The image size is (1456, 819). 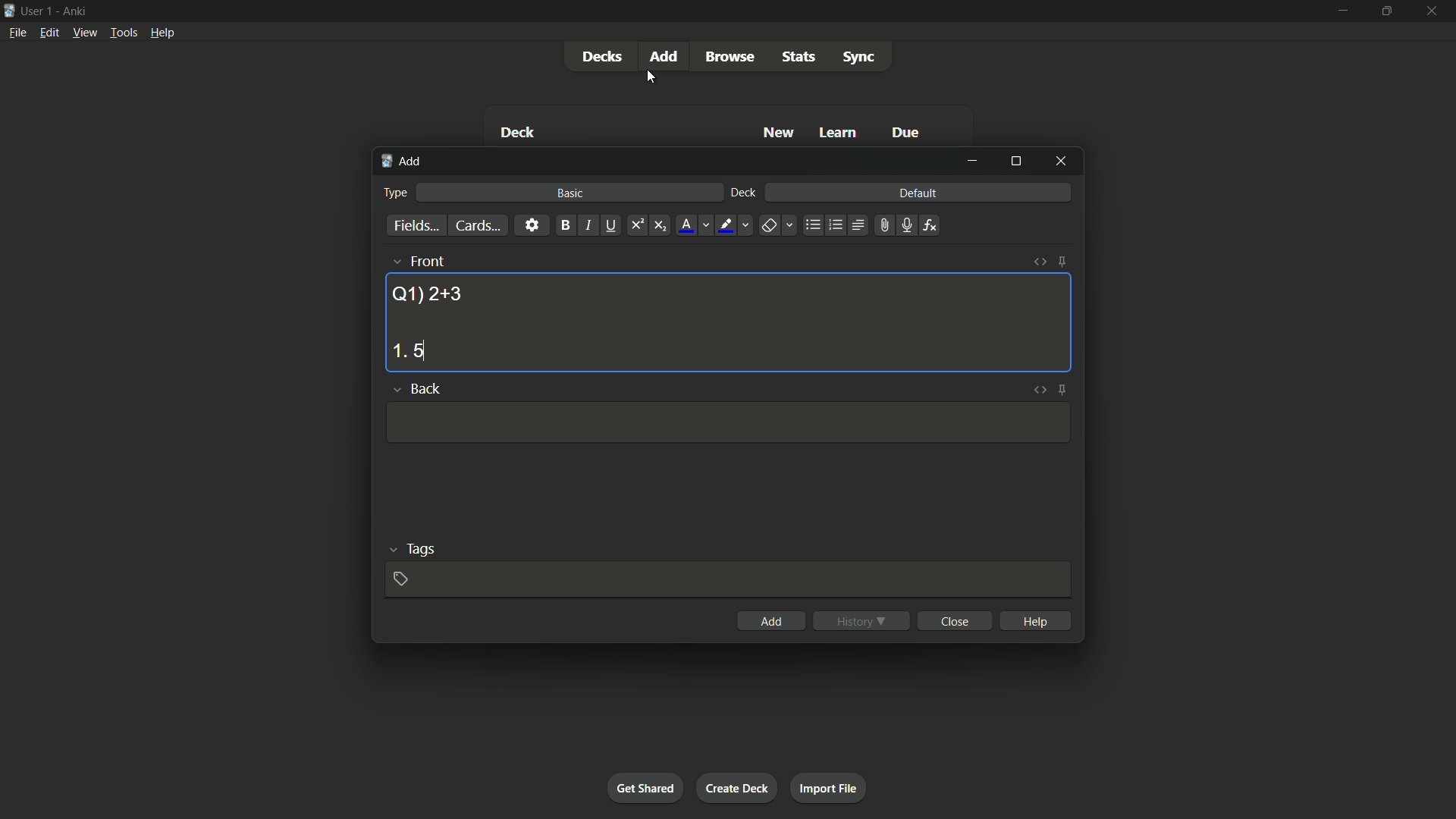 What do you see at coordinates (667, 55) in the screenshot?
I see `add` at bounding box center [667, 55].